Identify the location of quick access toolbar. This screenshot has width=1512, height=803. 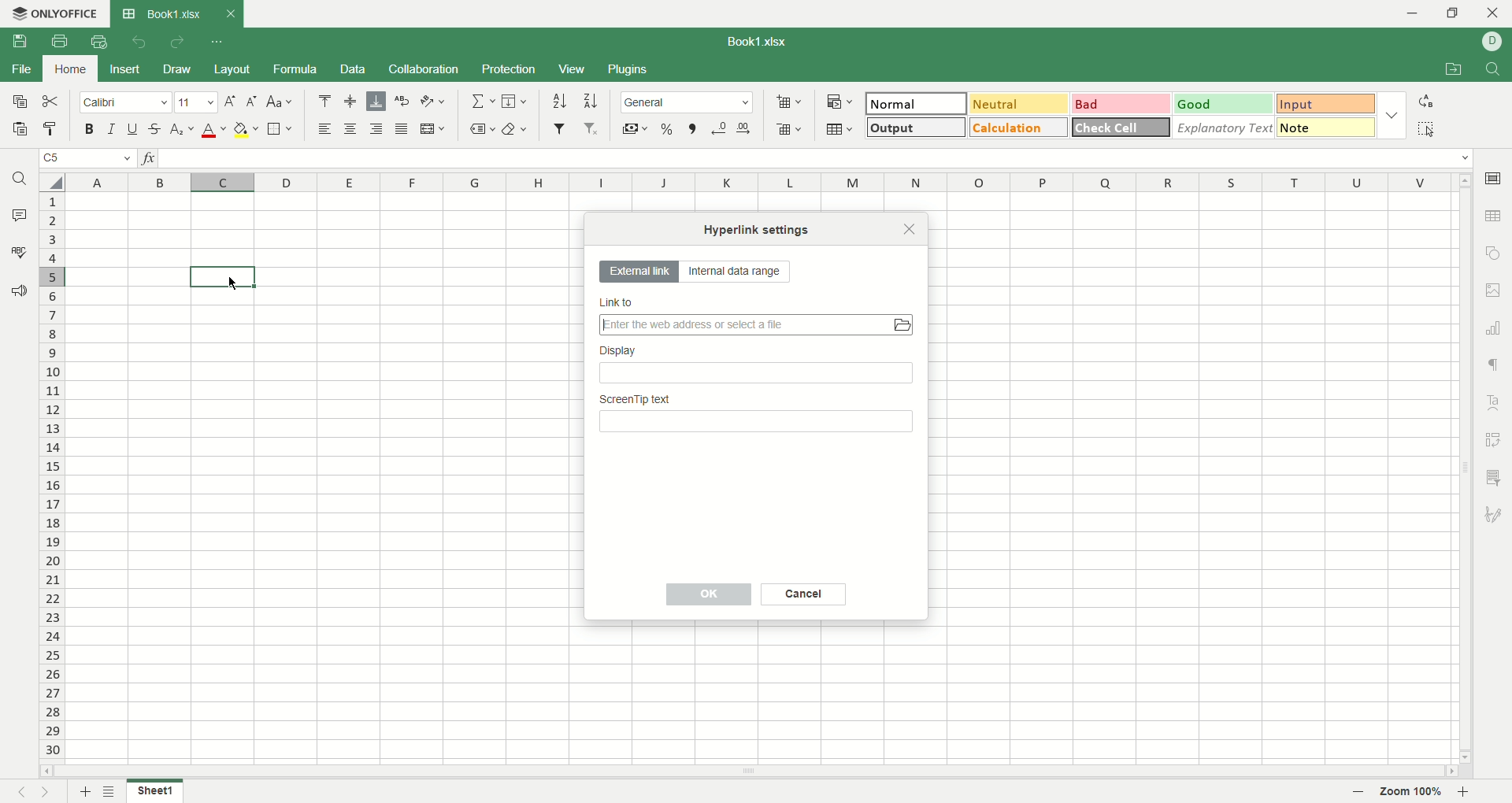
(218, 43).